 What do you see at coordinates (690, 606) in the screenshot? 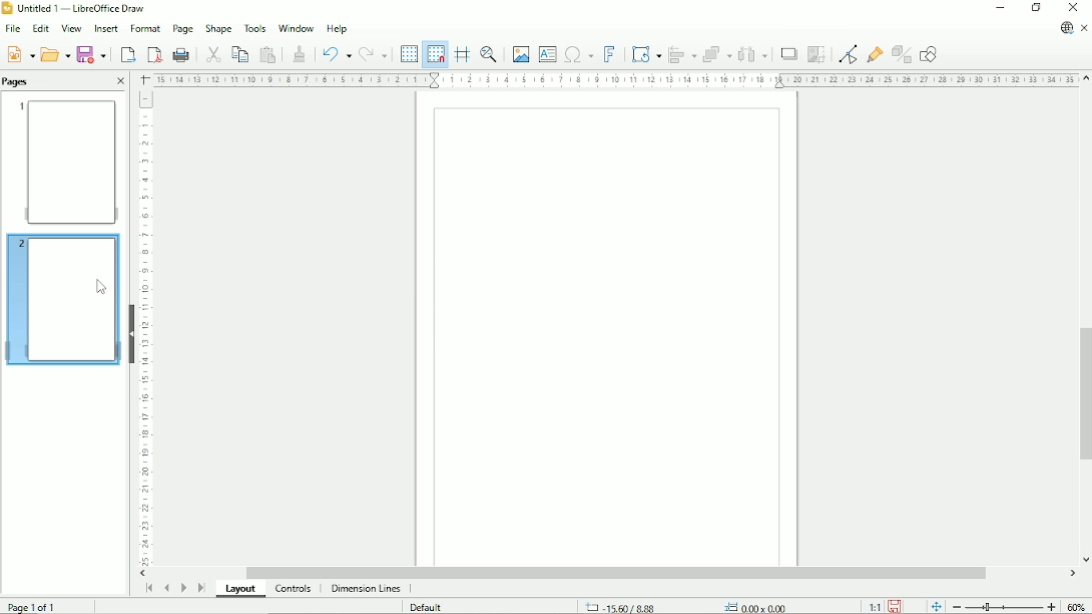
I see `Cursor position` at bounding box center [690, 606].